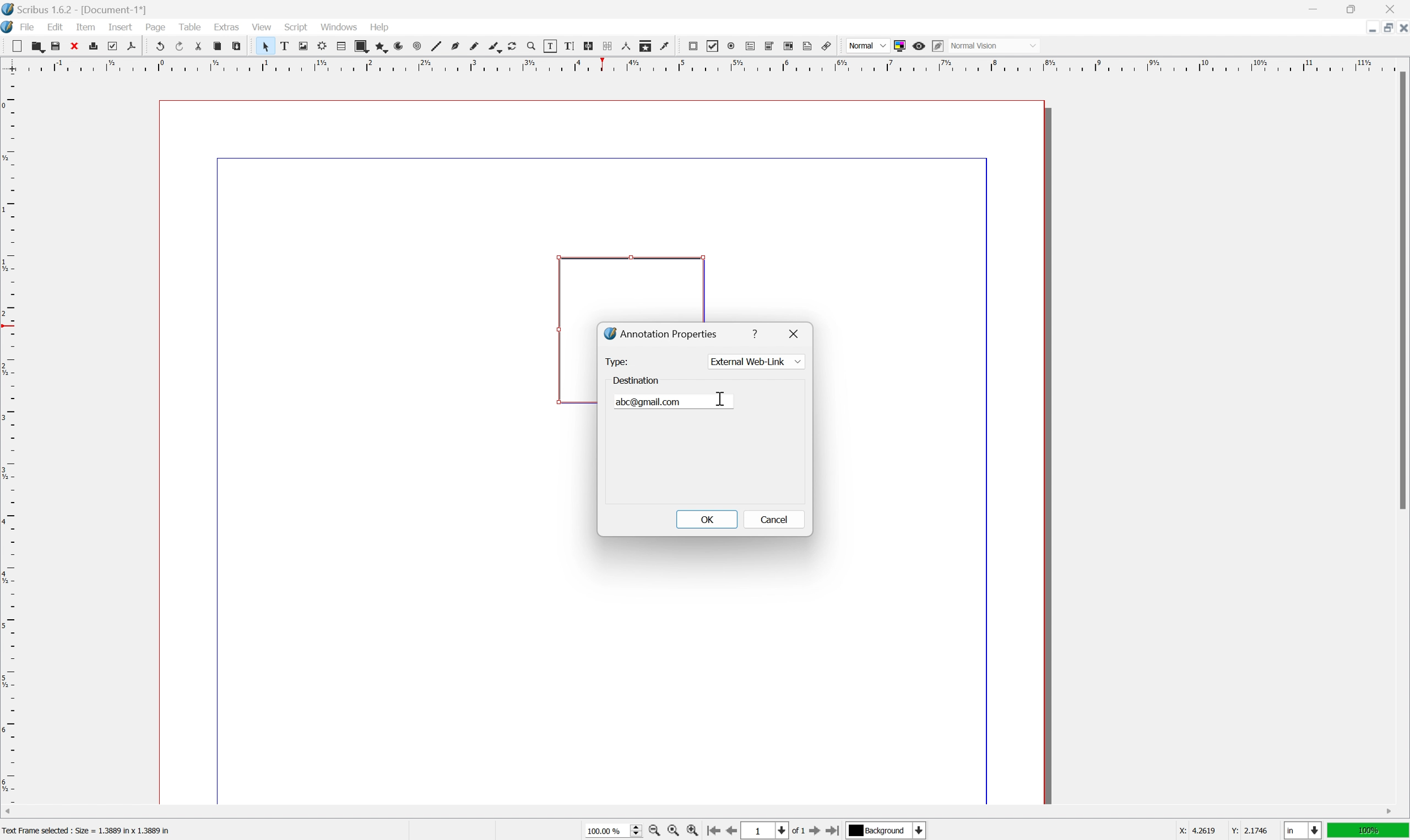 Image resolution: width=1410 pixels, height=840 pixels. I want to click on go to previous page, so click(729, 830).